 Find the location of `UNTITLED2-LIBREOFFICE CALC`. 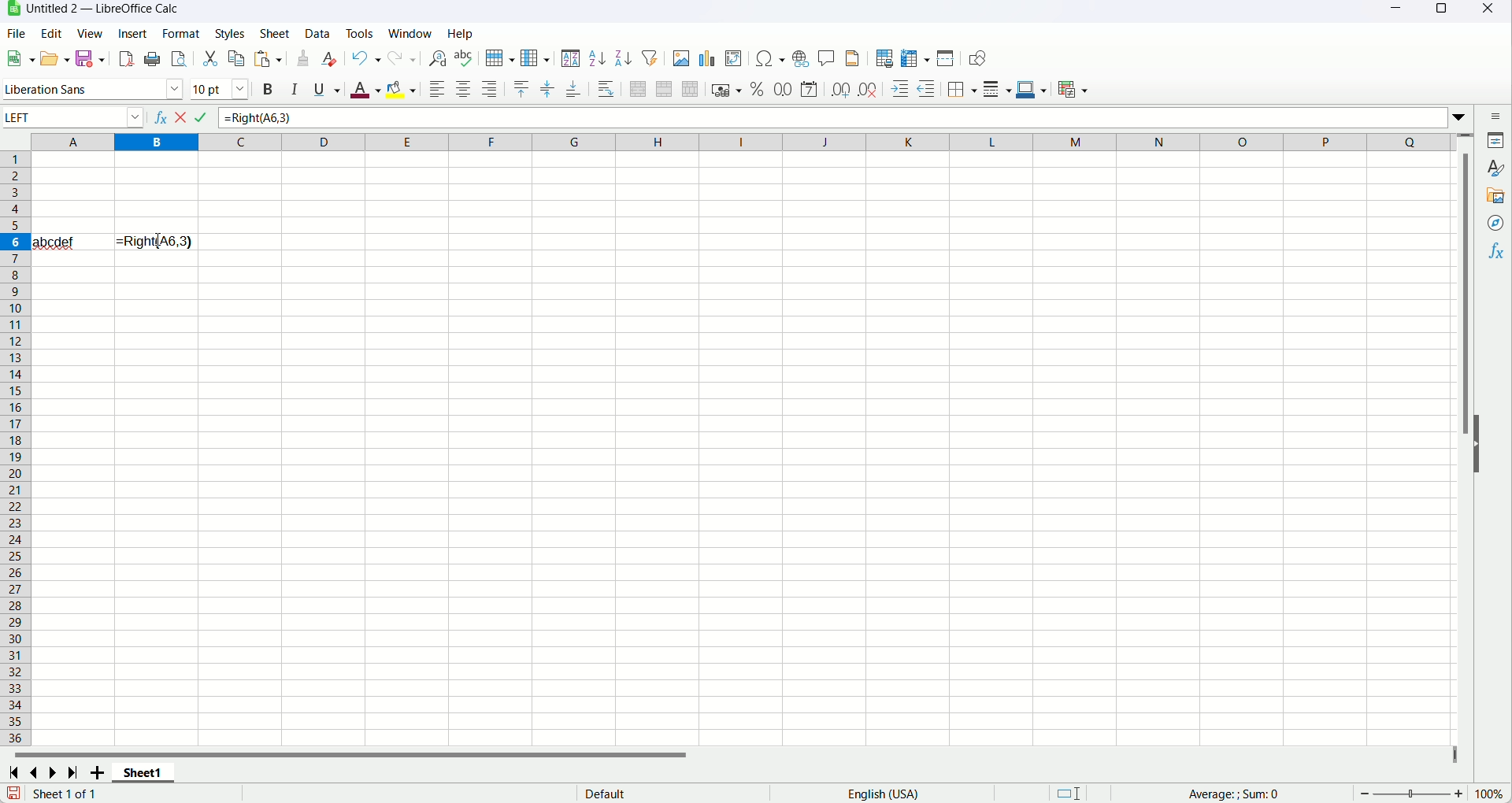

UNTITLED2-LIBREOFFICE CALC is located at coordinates (104, 8).